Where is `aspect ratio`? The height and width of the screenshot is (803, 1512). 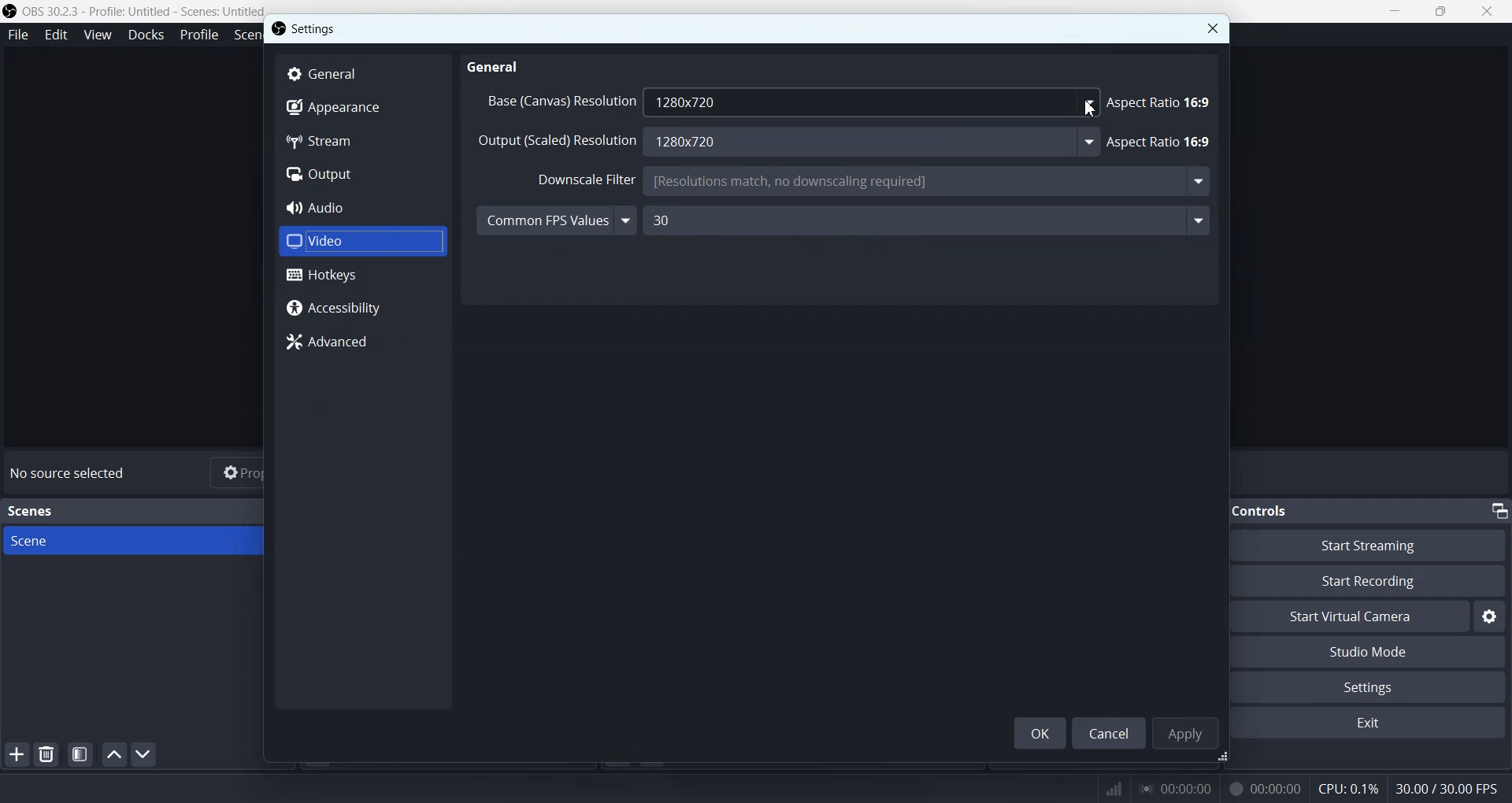 aspect ratio is located at coordinates (1165, 98).